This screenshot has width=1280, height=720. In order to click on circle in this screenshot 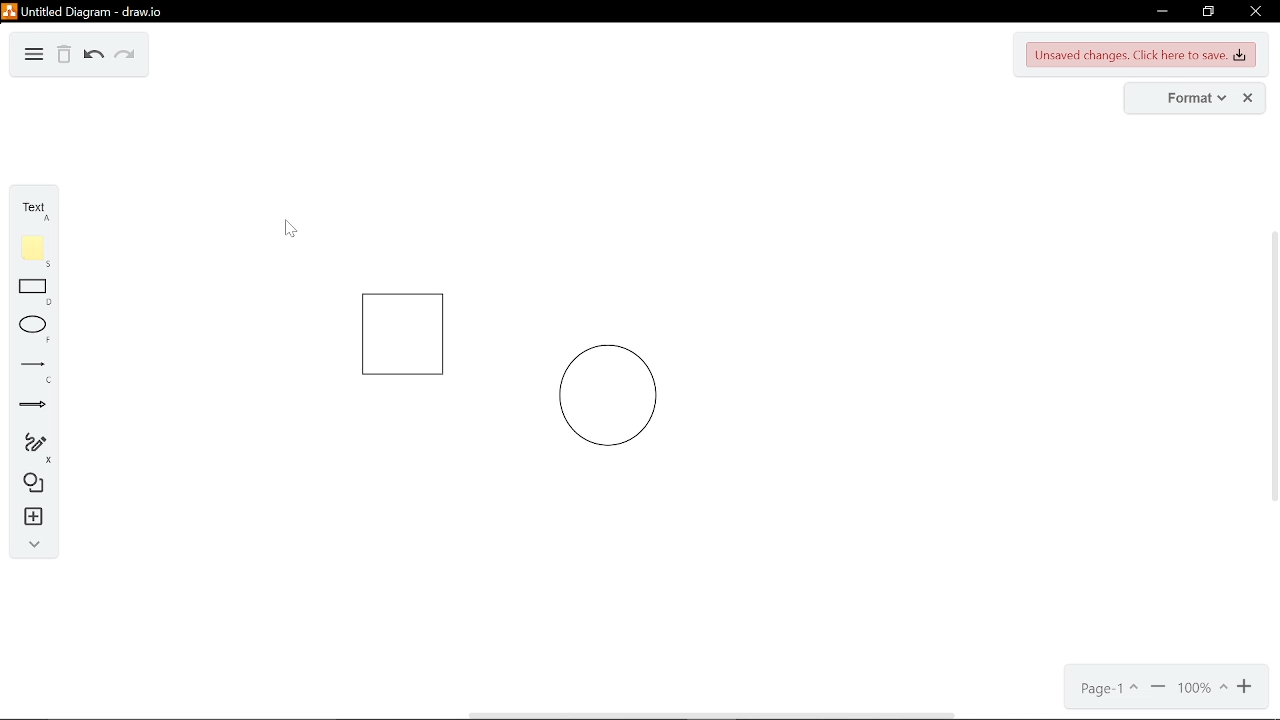, I will do `click(607, 396)`.